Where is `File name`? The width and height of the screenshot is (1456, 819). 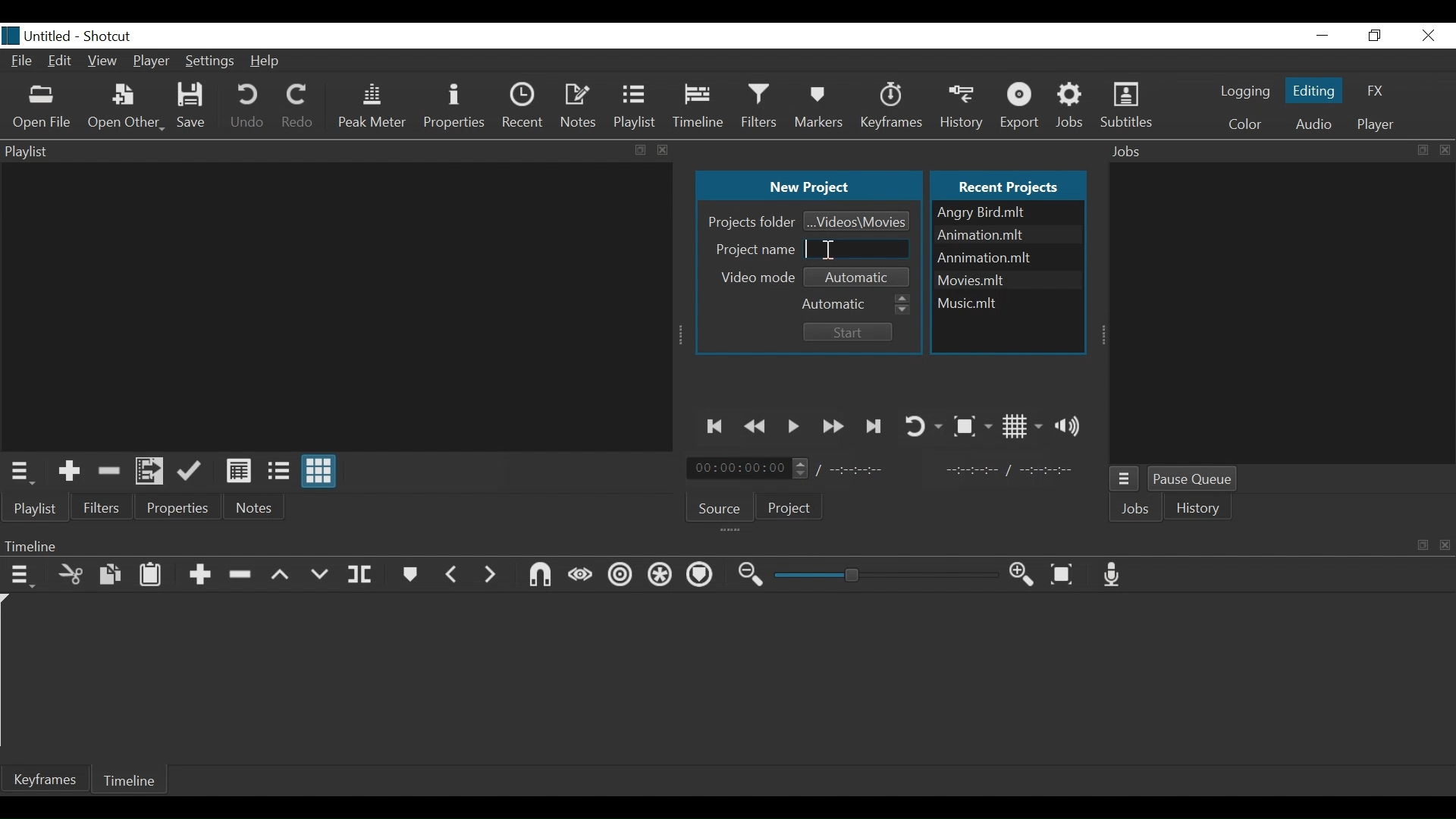 File name is located at coordinates (37, 36).